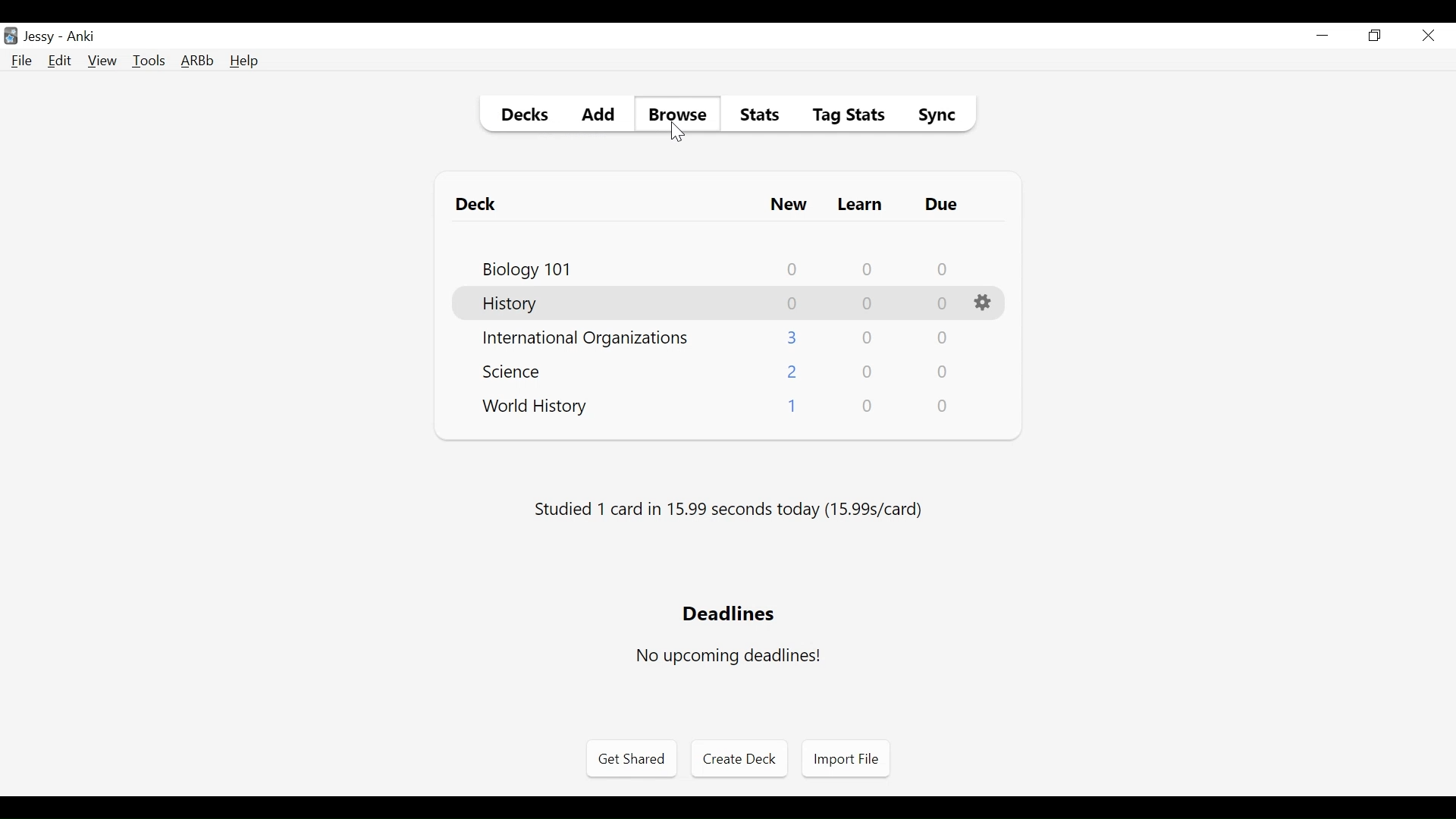 Image resolution: width=1456 pixels, height=819 pixels. Describe the element at coordinates (868, 303) in the screenshot. I see `Learn Card Count` at that location.